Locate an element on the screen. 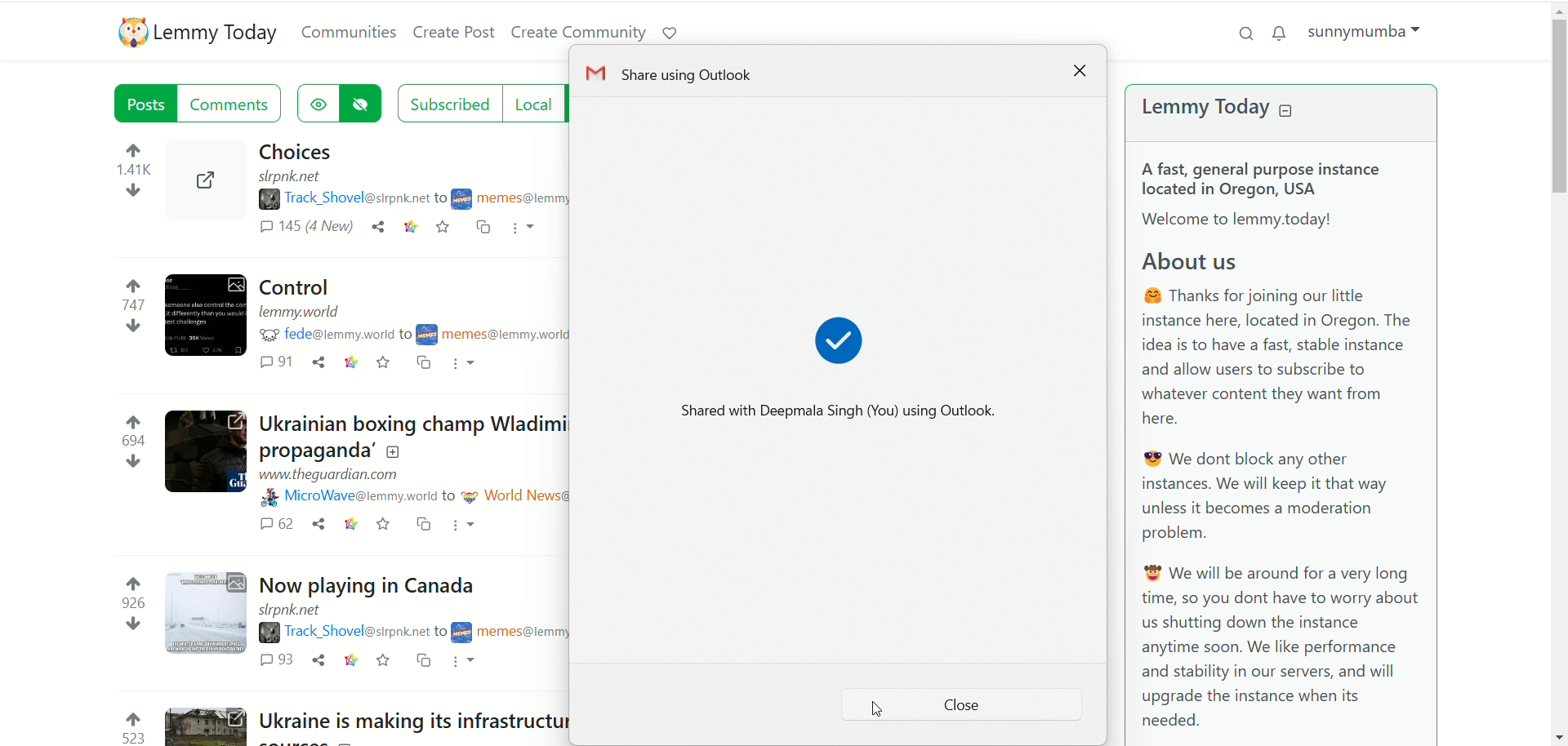 This screenshot has height=746, width=1568. cross post is located at coordinates (424, 524).